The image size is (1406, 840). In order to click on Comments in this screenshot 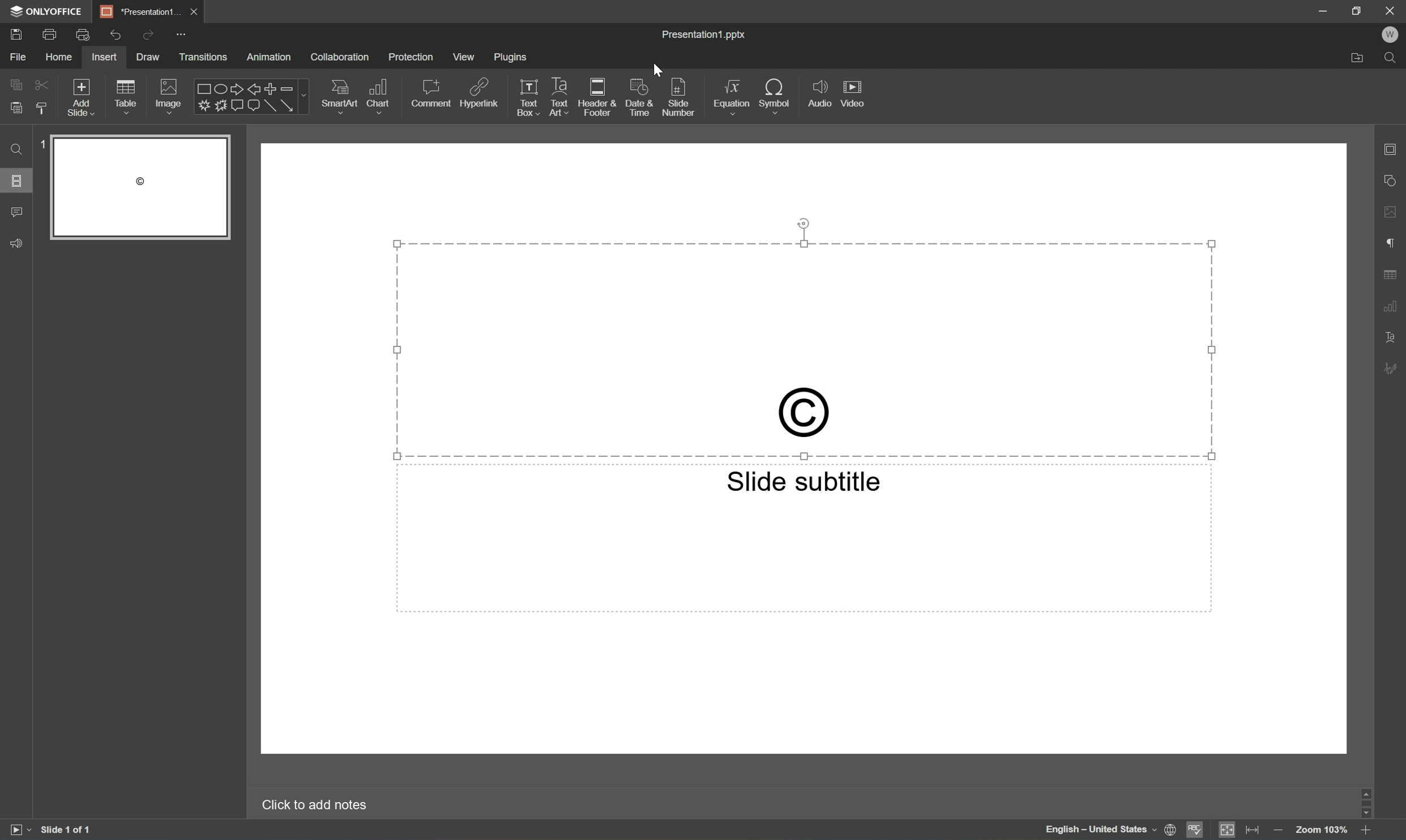, I will do `click(18, 211)`.